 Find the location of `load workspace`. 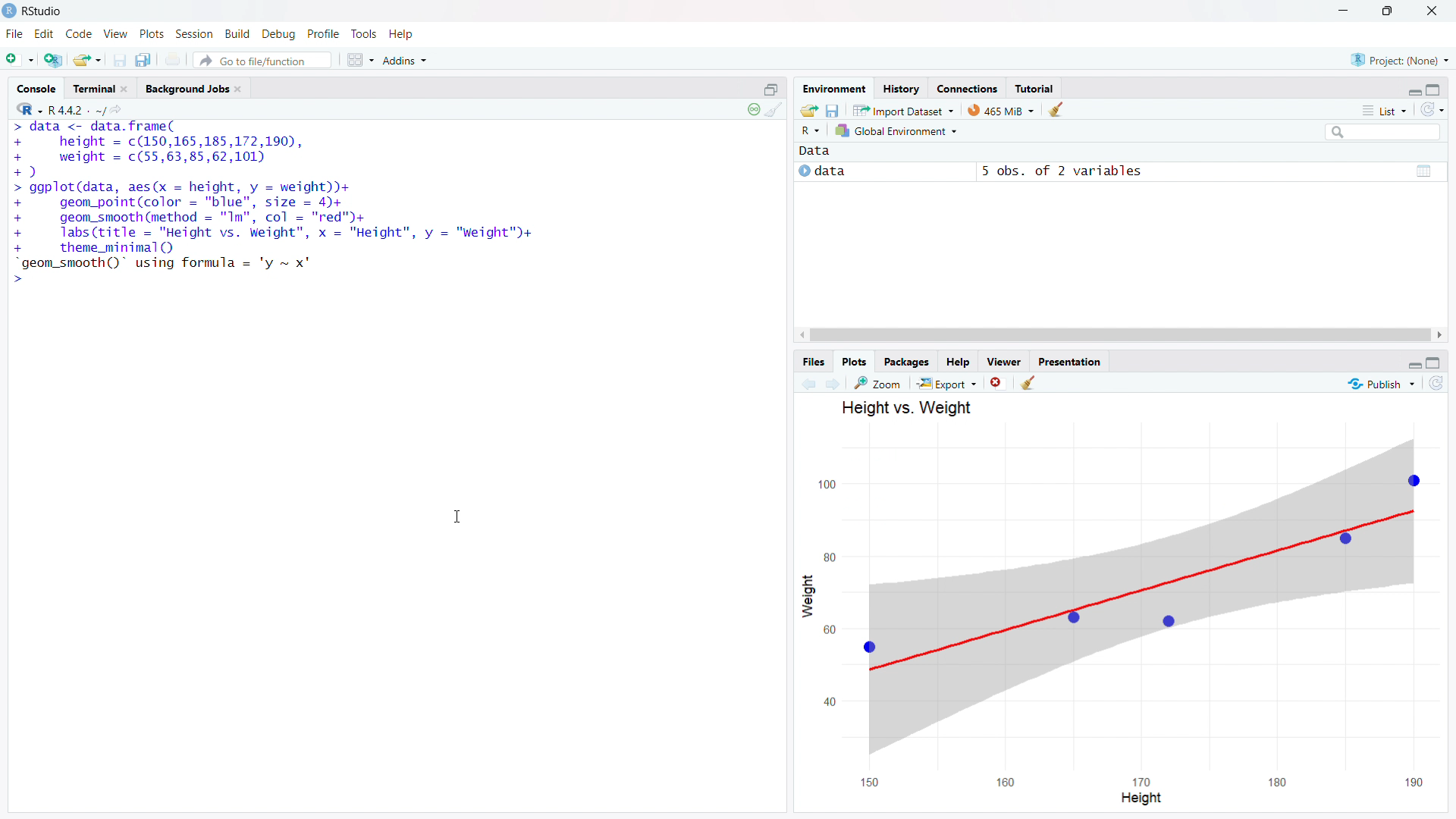

load workspace is located at coordinates (809, 109).